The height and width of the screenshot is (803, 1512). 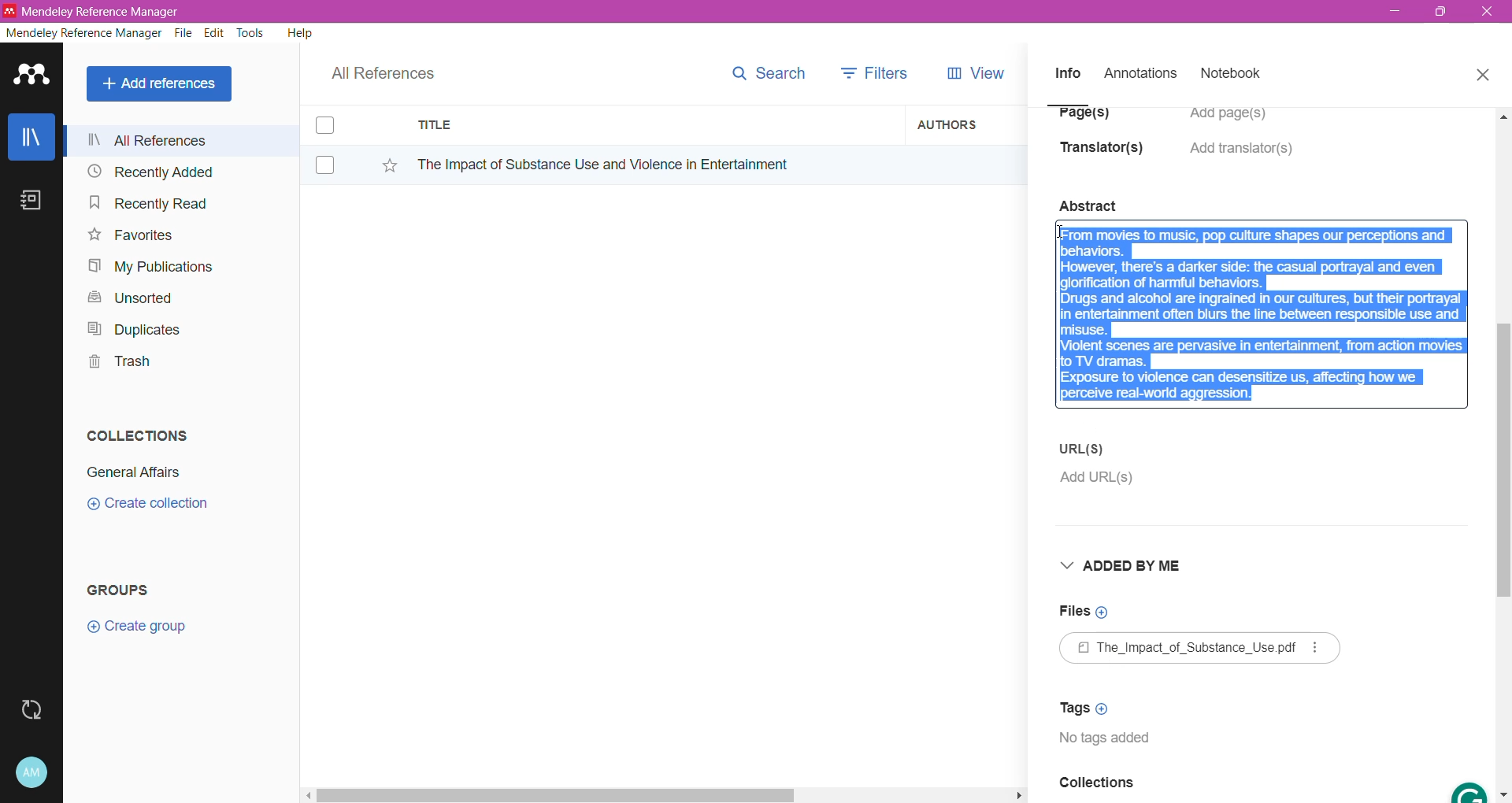 I want to click on Collection Name, so click(x=131, y=472).